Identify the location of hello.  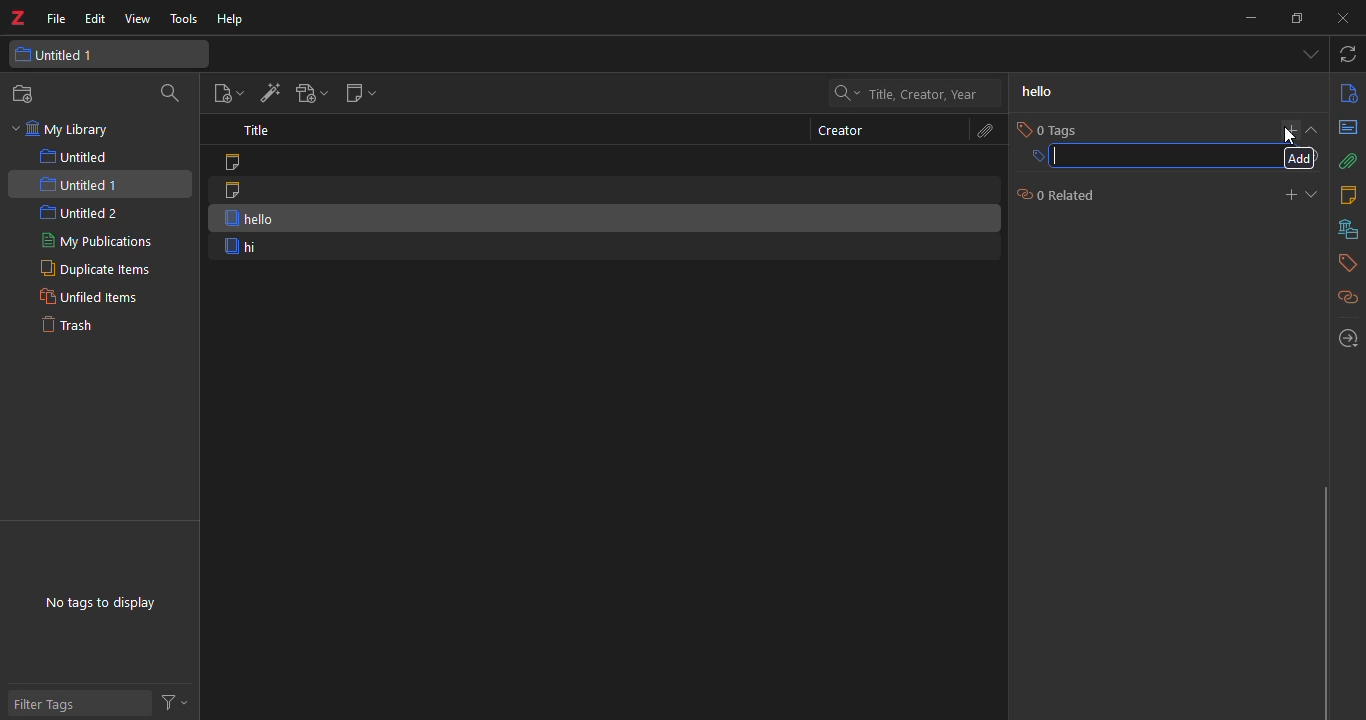
(245, 218).